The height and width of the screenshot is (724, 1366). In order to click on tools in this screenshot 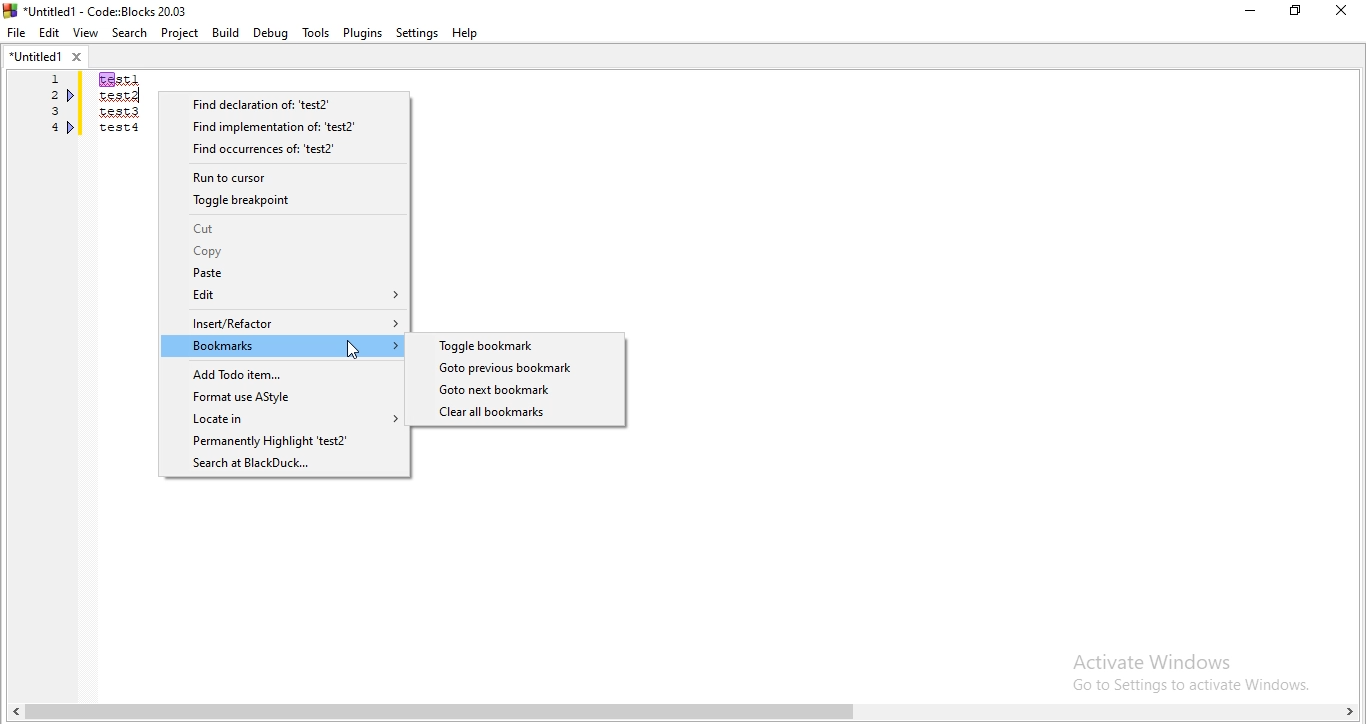, I will do `click(314, 33)`.